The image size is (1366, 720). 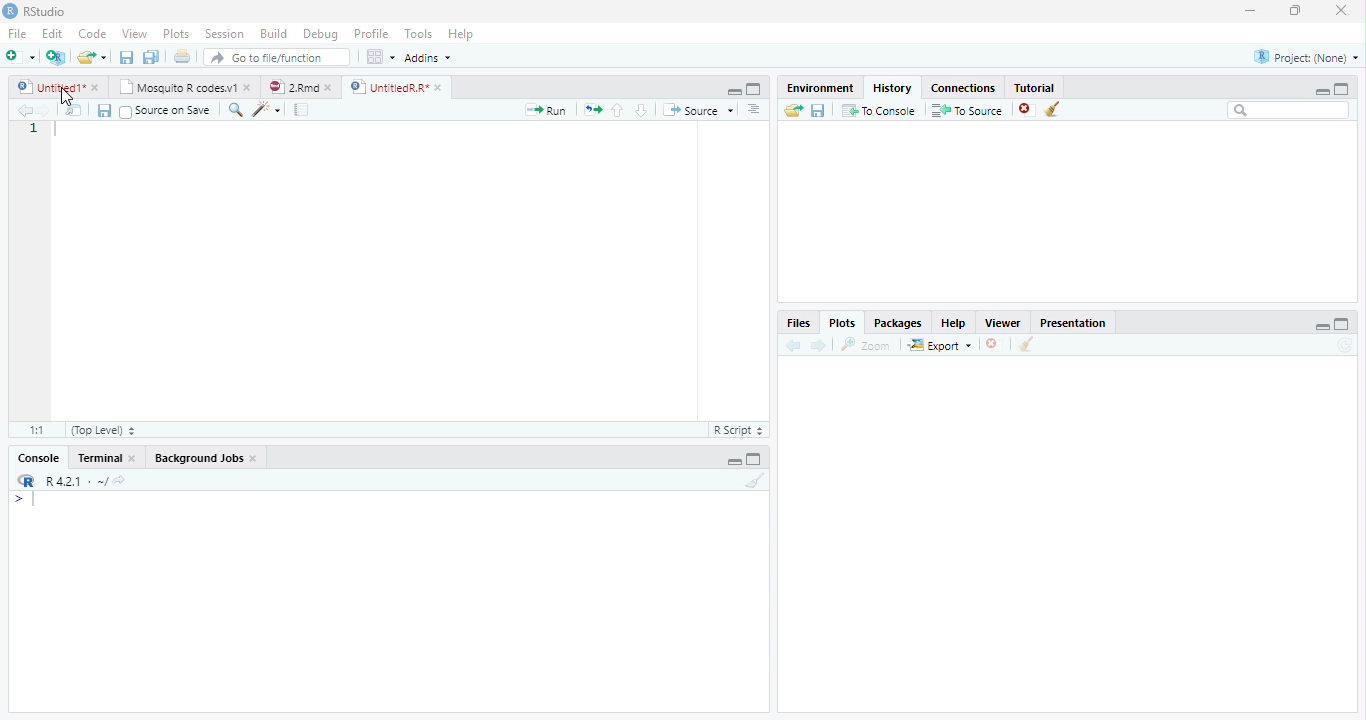 I want to click on Go to file/function, so click(x=279, y=58).